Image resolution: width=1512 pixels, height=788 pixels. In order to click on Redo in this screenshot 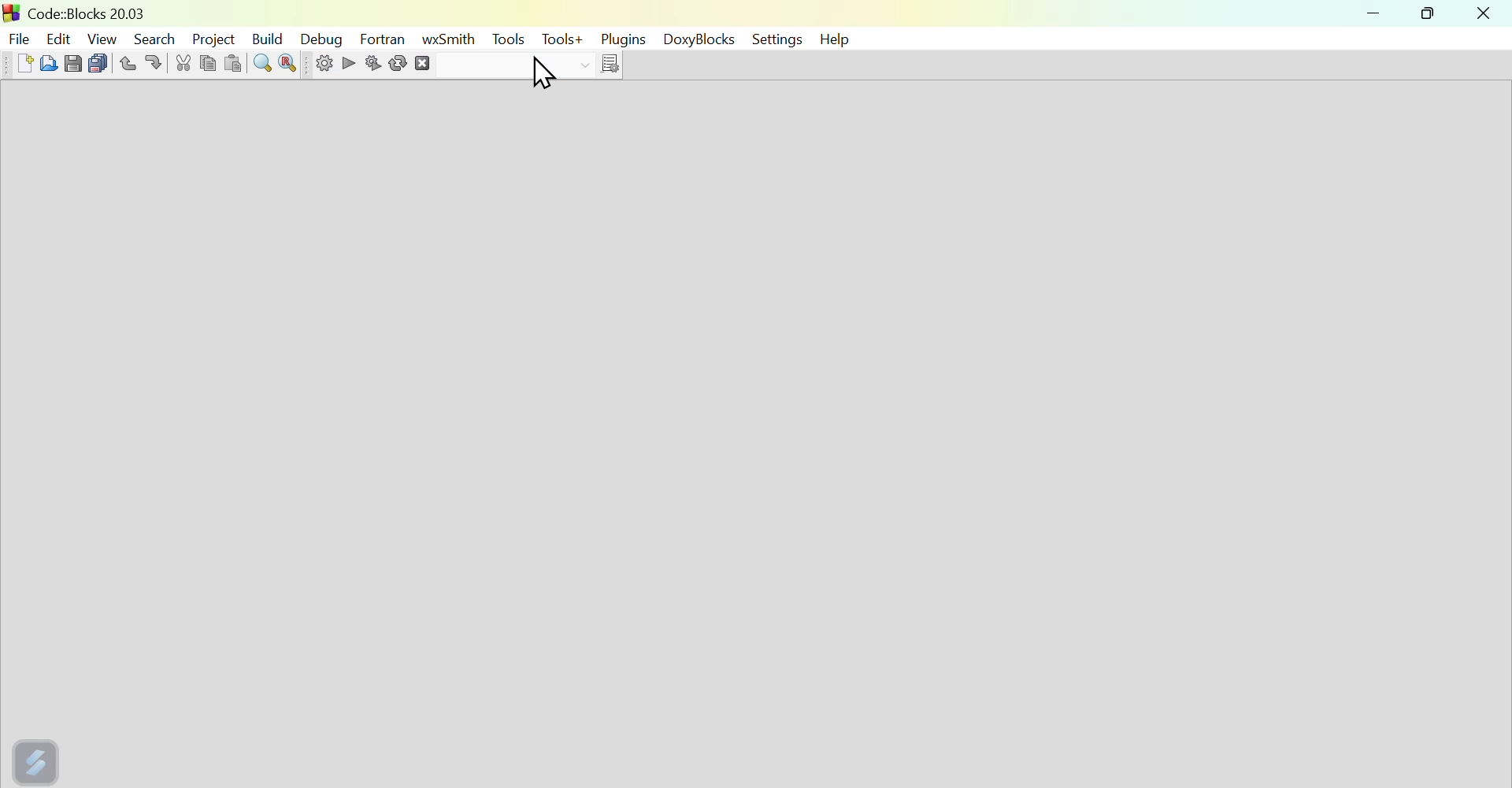, I will do `click(159, 61)`.